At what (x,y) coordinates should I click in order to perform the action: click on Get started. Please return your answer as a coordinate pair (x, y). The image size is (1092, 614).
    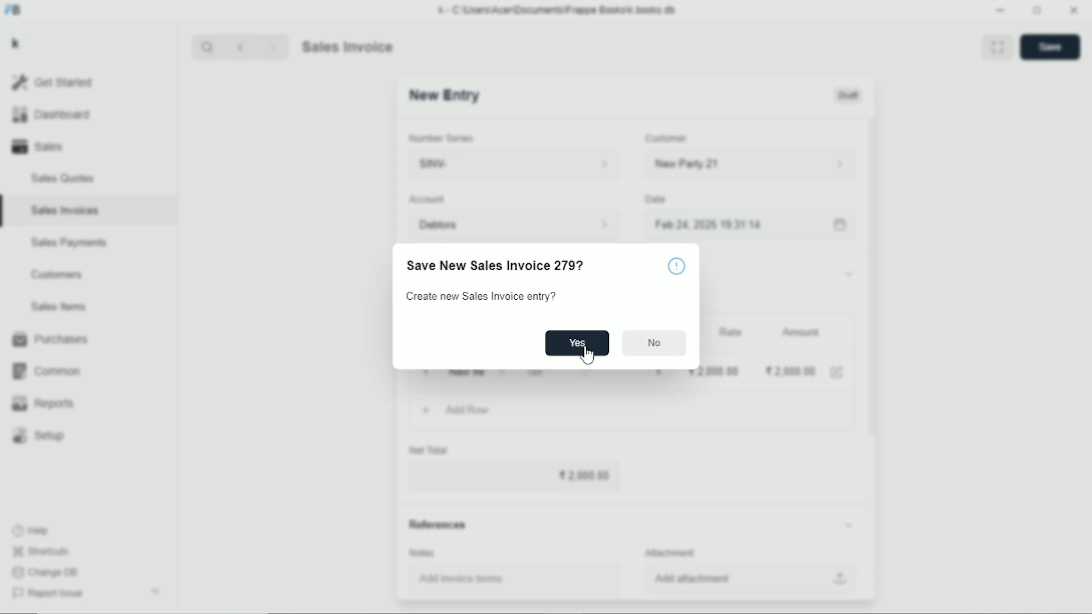
    Looking at the image, I should click on (51, 82).